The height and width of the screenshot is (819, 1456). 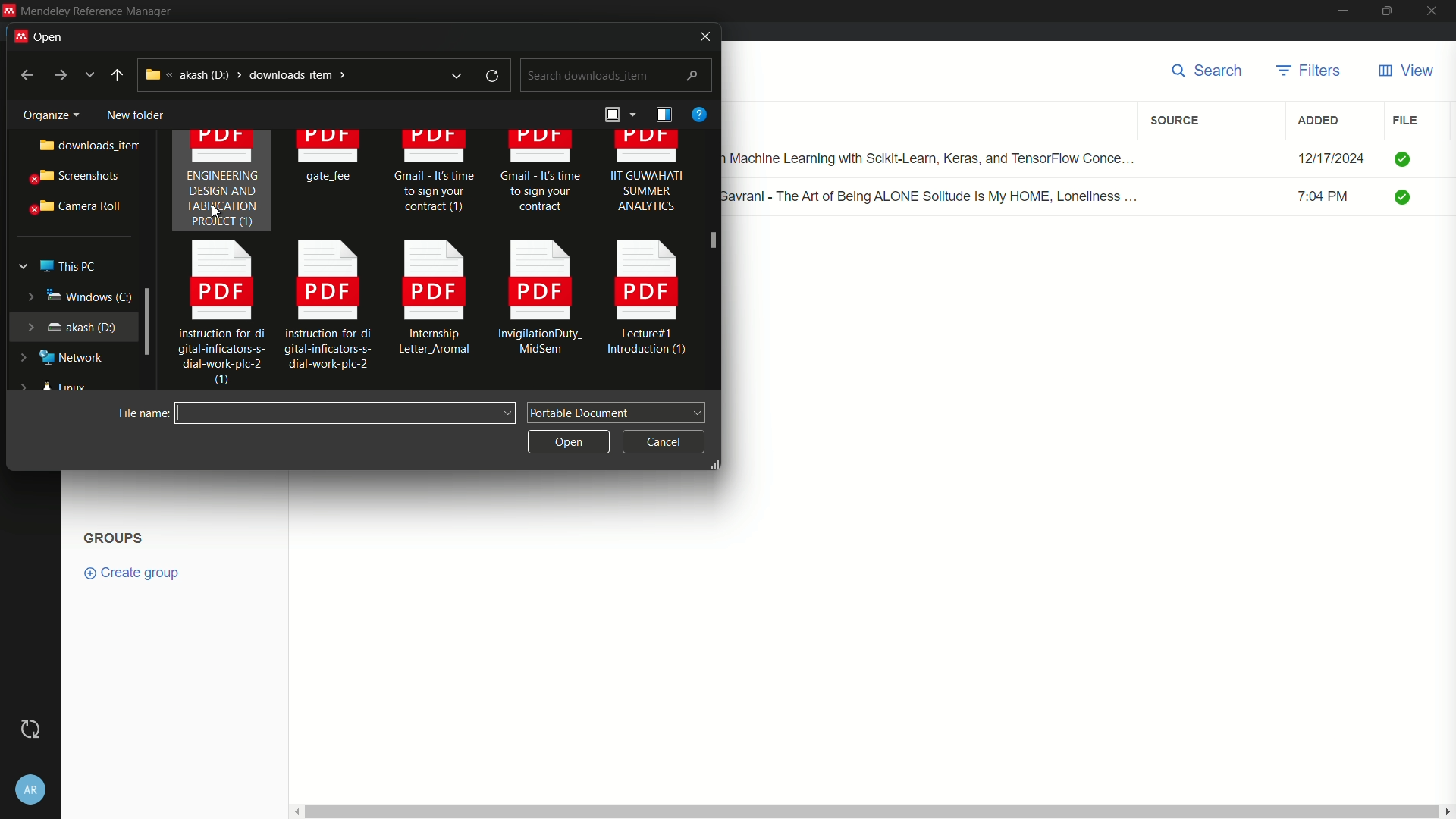 I want to click on Mendeley Reference Manager, so click(x=96, y=11).